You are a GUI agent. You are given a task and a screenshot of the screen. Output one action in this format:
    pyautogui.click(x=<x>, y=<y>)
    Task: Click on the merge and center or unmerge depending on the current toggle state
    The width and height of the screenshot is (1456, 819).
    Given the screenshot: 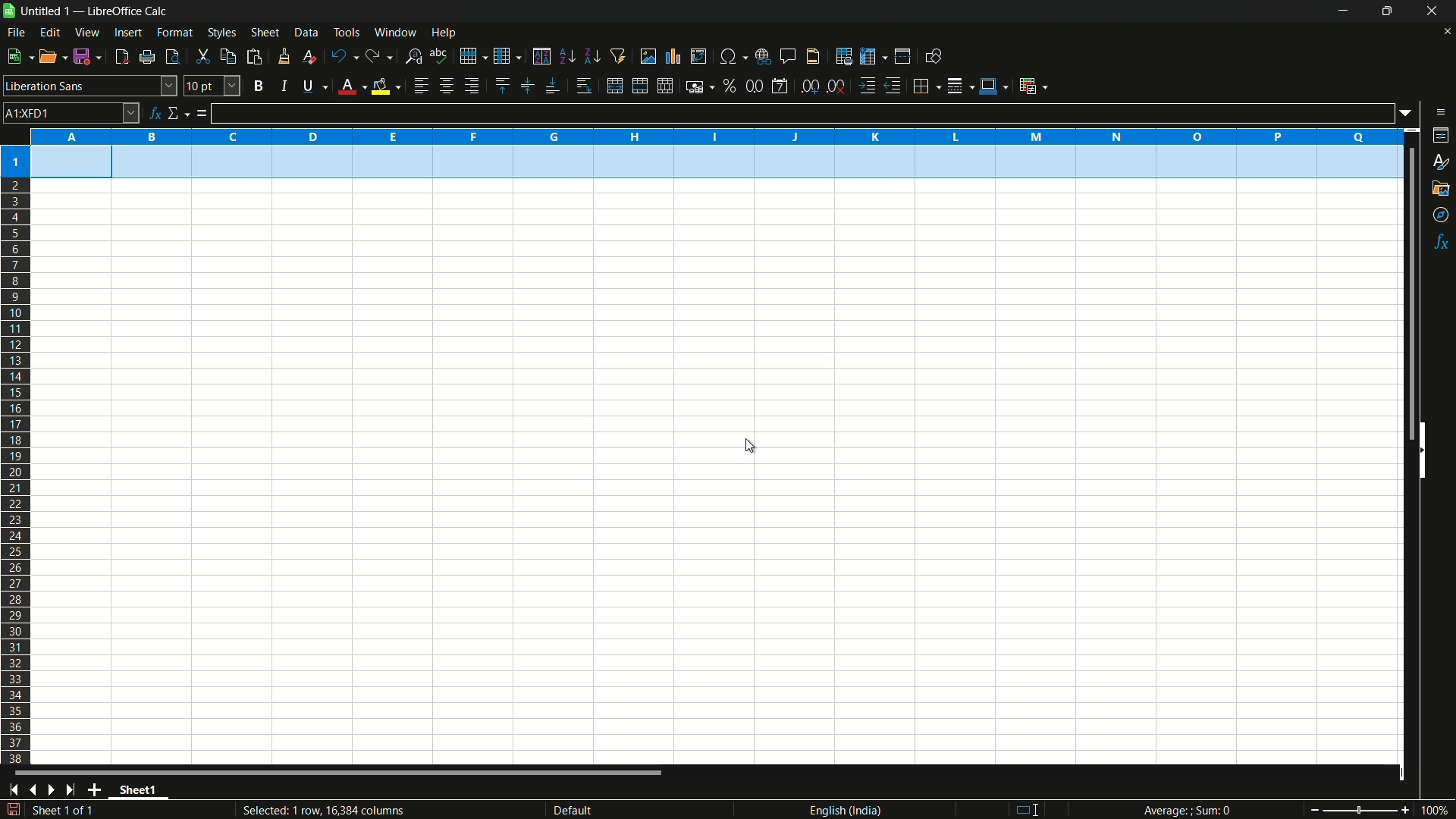 What is the action you would take?
    pyautogui.click(x=613, y=86)
    